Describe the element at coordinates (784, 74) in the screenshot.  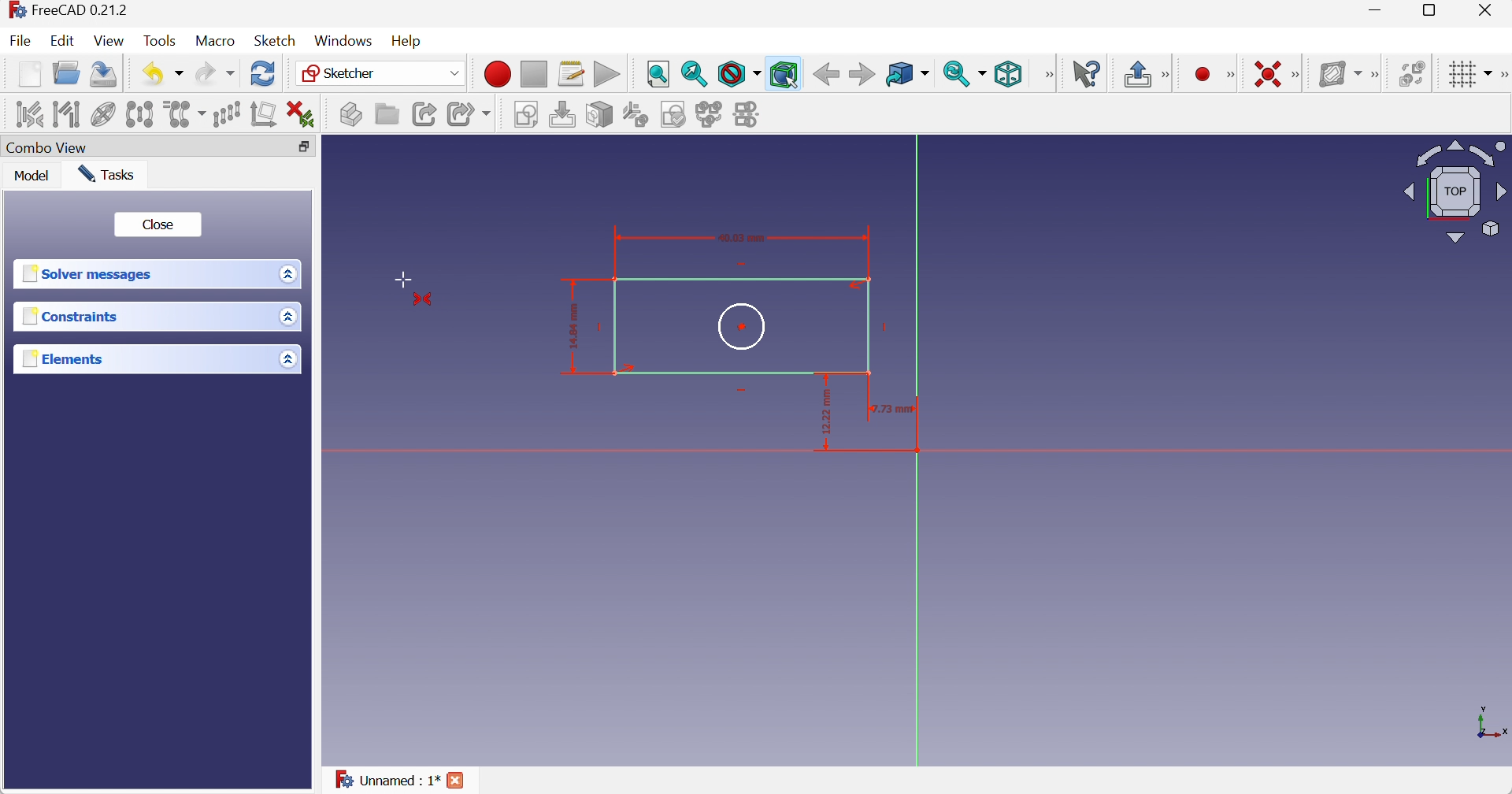
I see `Bounding box` at that location.